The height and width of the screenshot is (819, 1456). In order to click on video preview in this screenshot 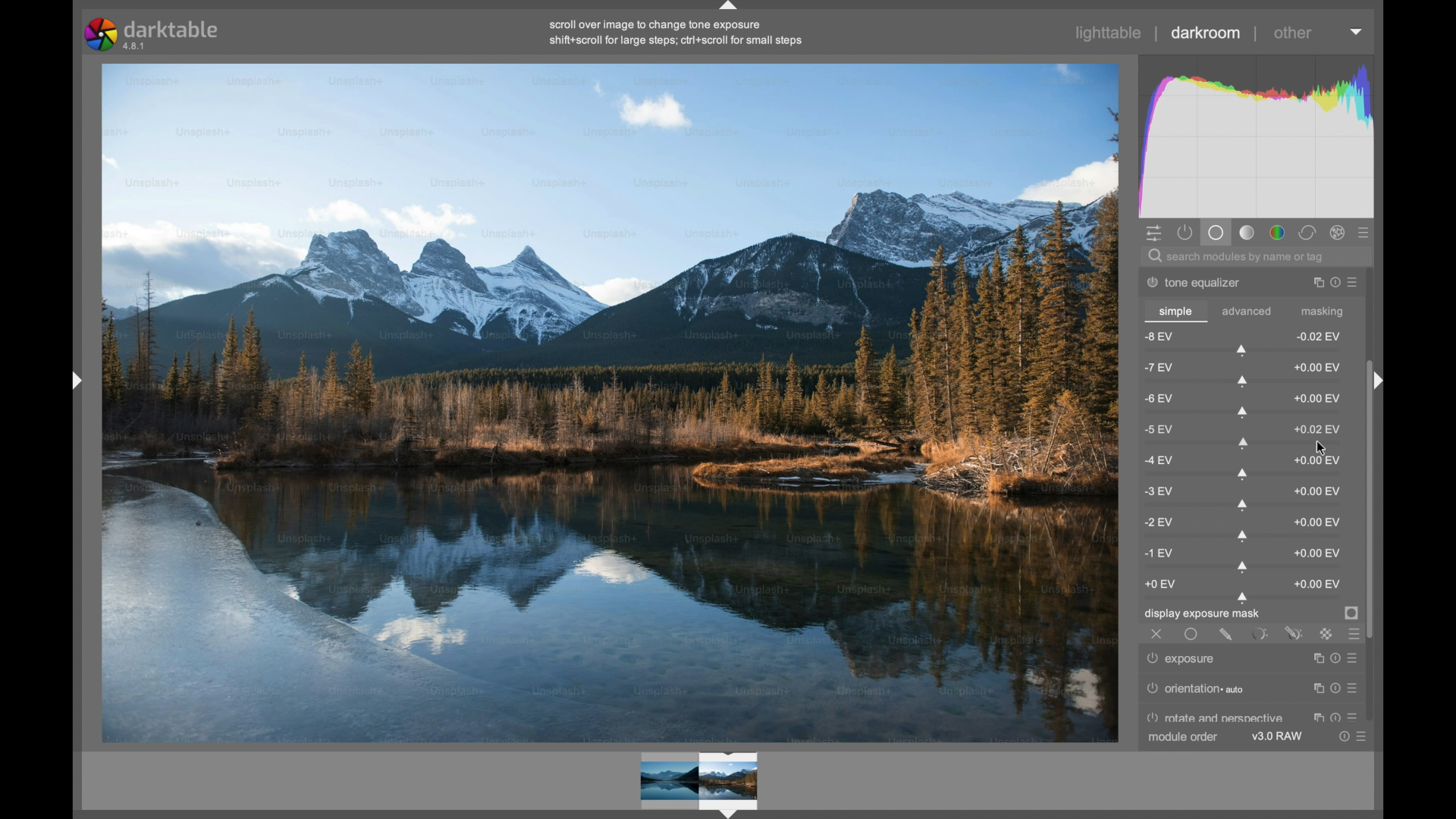, I will do `click(608, 402)`.